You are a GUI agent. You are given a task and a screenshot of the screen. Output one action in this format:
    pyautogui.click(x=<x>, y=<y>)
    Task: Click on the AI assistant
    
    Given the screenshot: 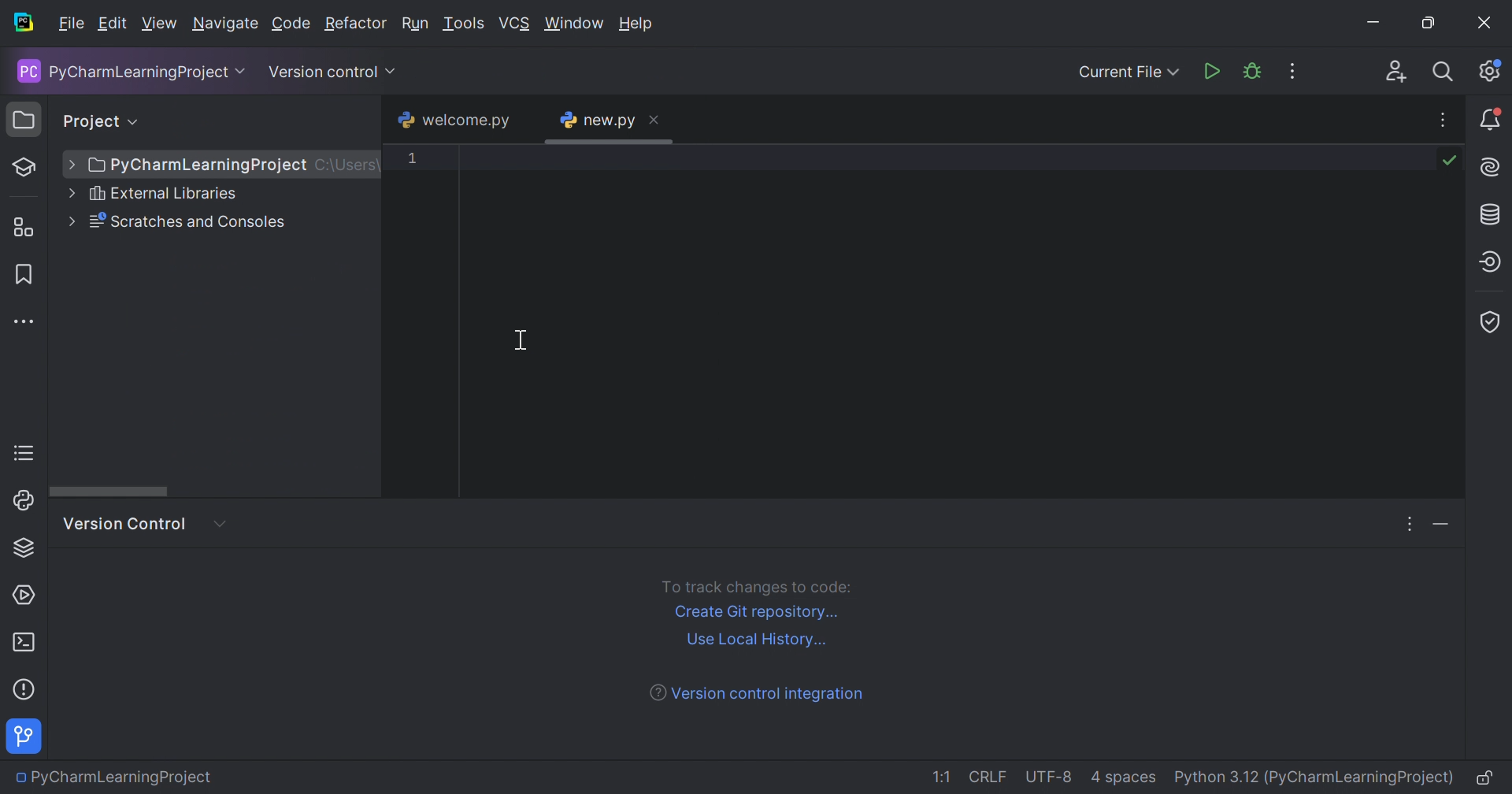 What is the action you would take?
    pyautogui.click(x=1492, y=167)
    